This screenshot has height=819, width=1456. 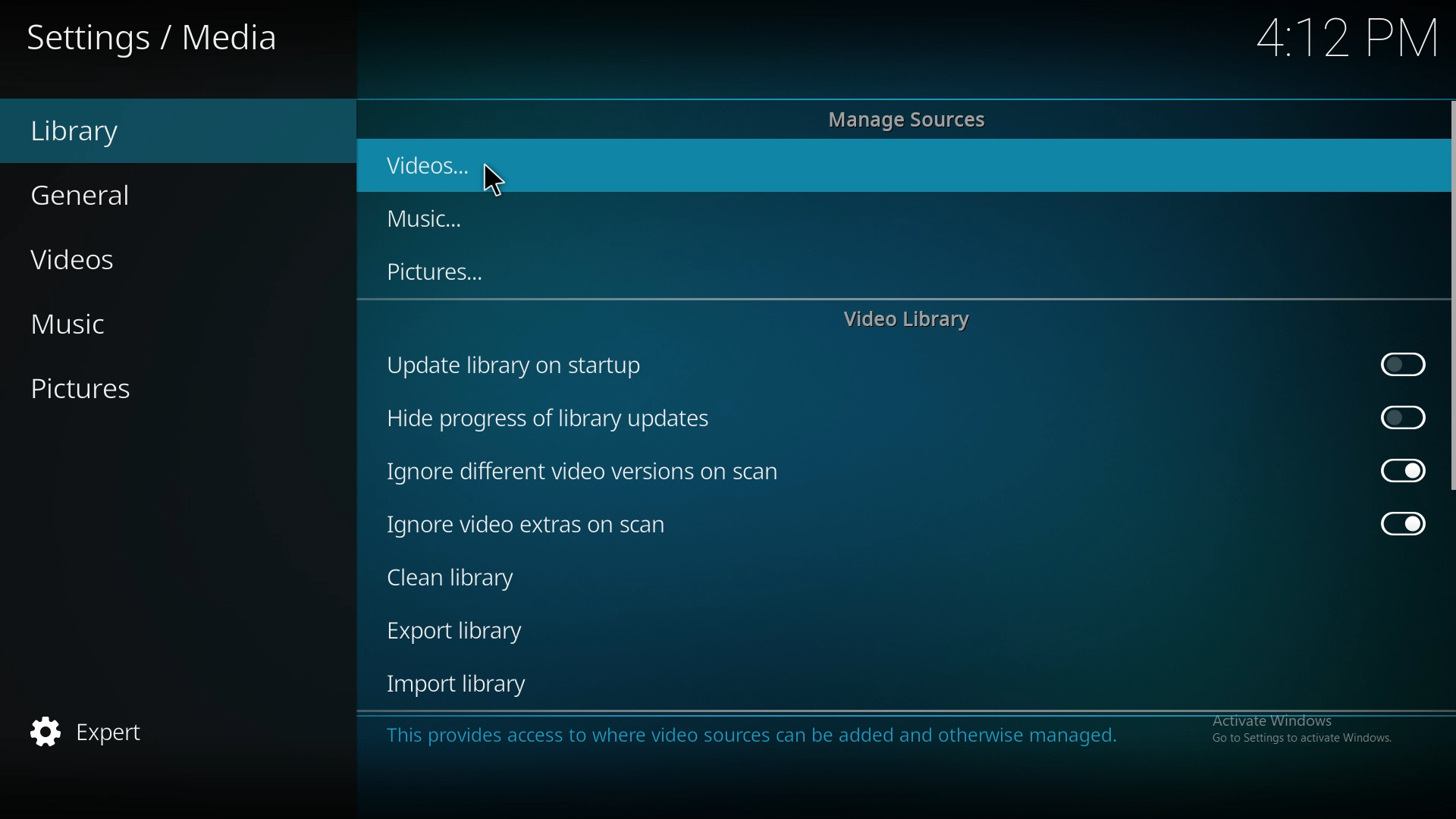 What do you see at coordinates (105, 195) in the screenshot?
I see `general` at bounding box center [105, 195].